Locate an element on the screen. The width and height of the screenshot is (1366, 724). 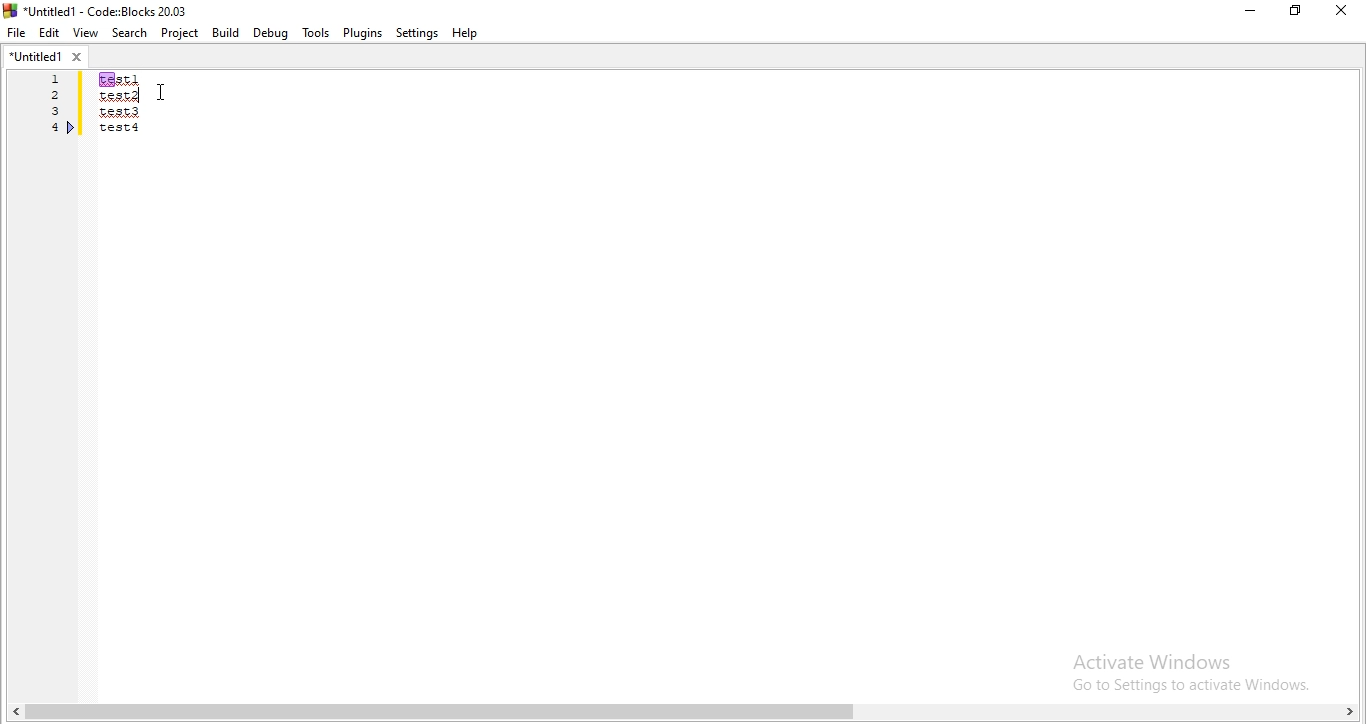
1,2,3,4,5 is located at coordinates (49, 118).